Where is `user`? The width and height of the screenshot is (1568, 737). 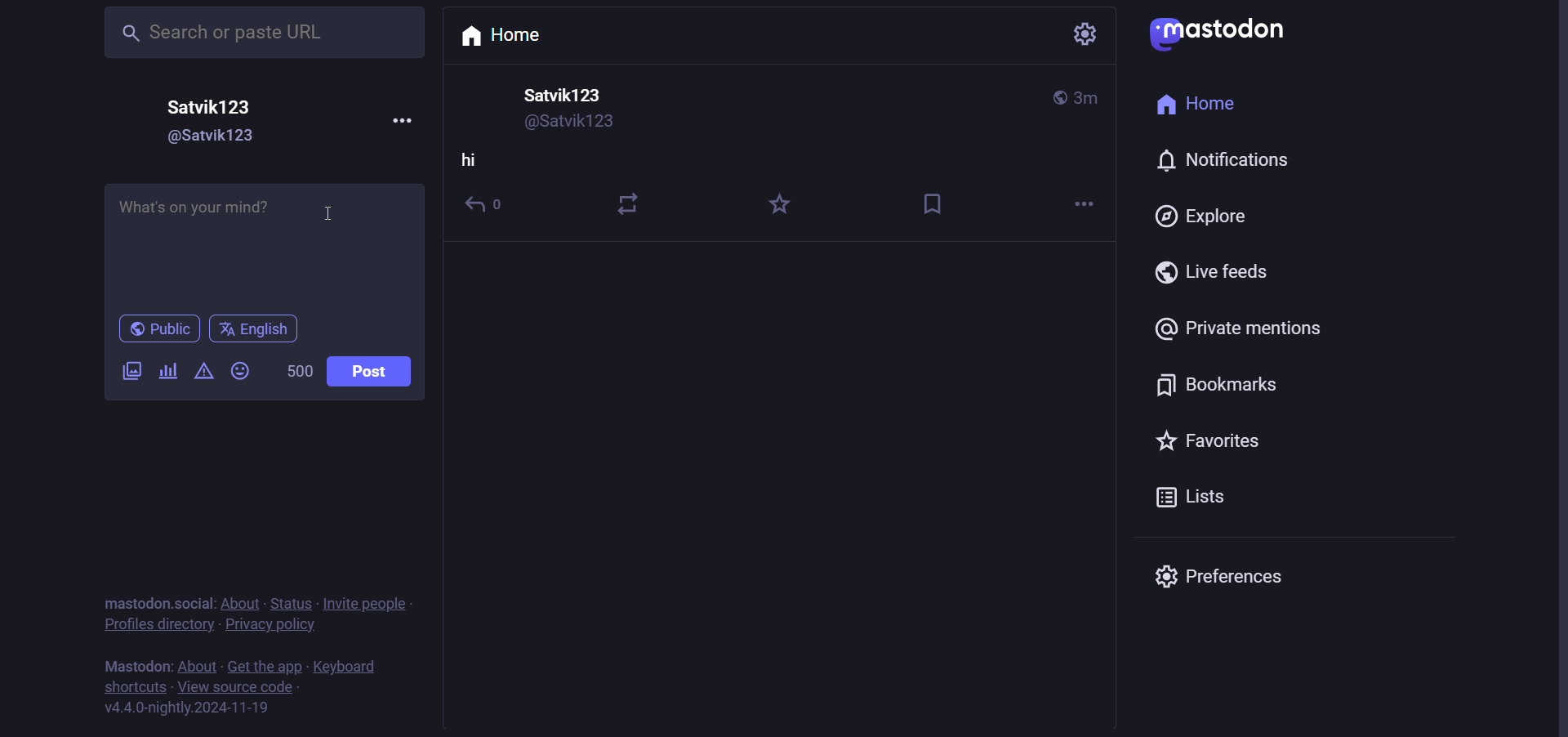
user is located at coordinates (568, 96).